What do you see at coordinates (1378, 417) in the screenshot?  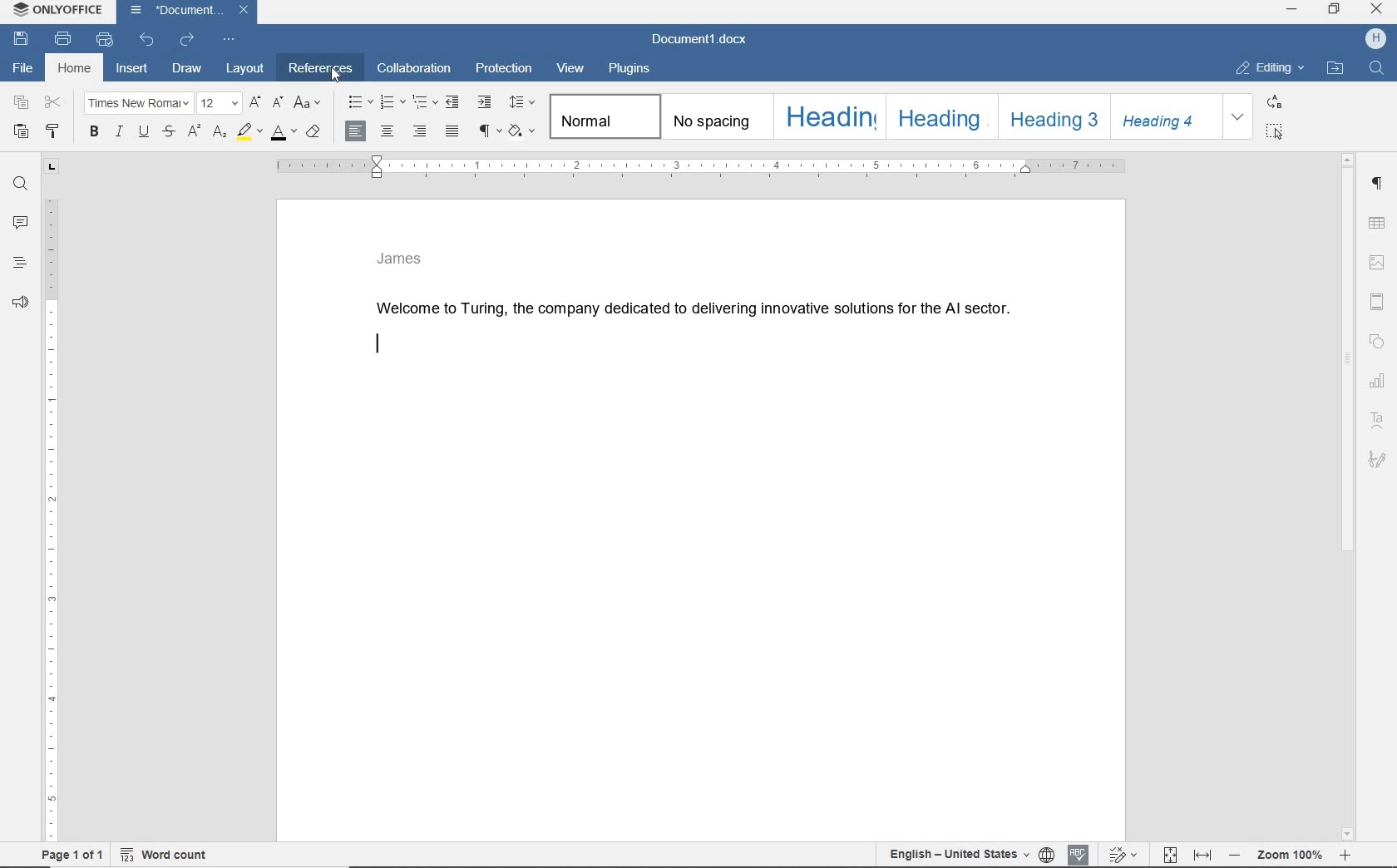 I see `text art` at bounding box center [1378, 417].